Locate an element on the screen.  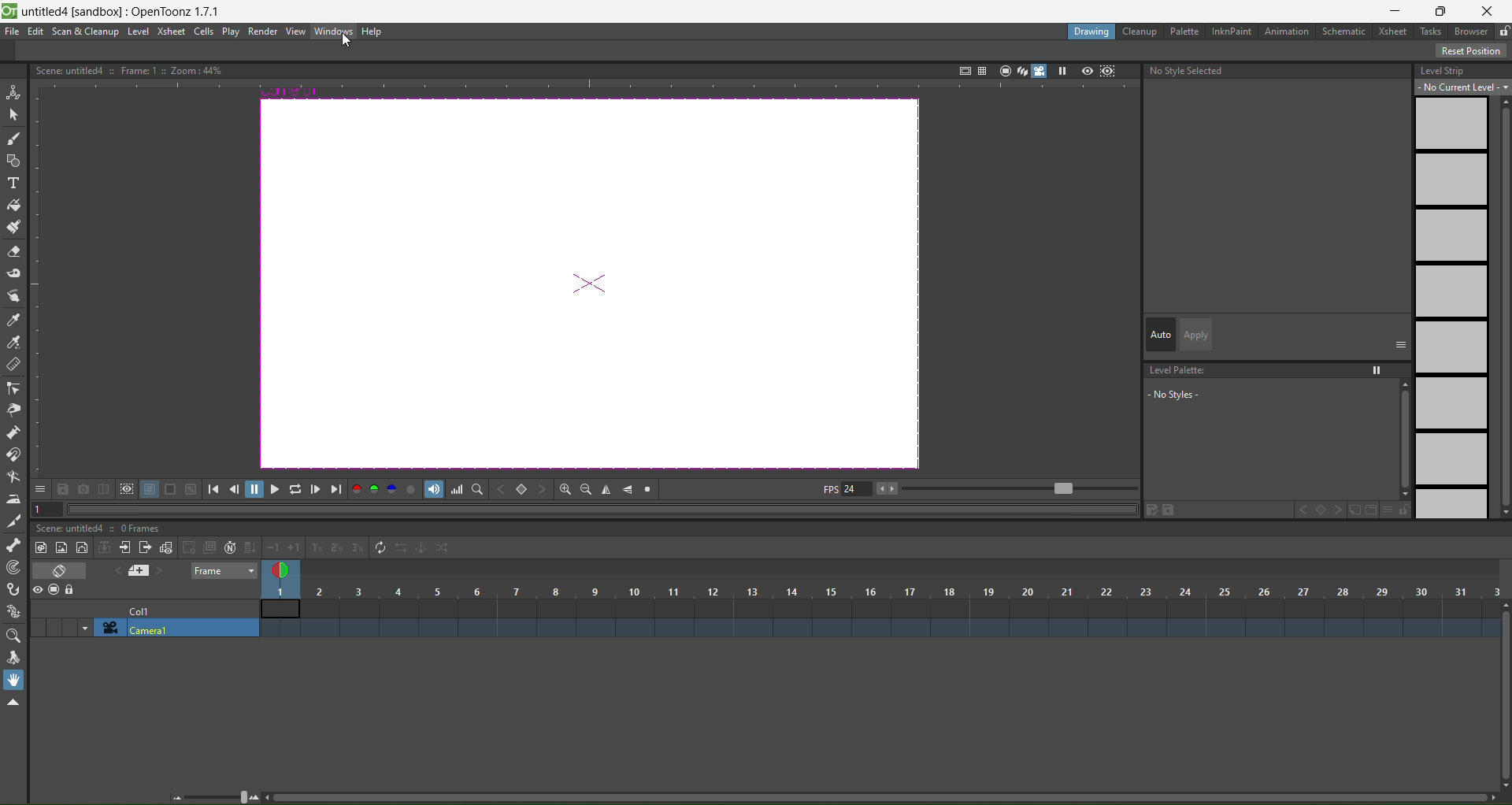
type tool is located at coordinates (13, 185).